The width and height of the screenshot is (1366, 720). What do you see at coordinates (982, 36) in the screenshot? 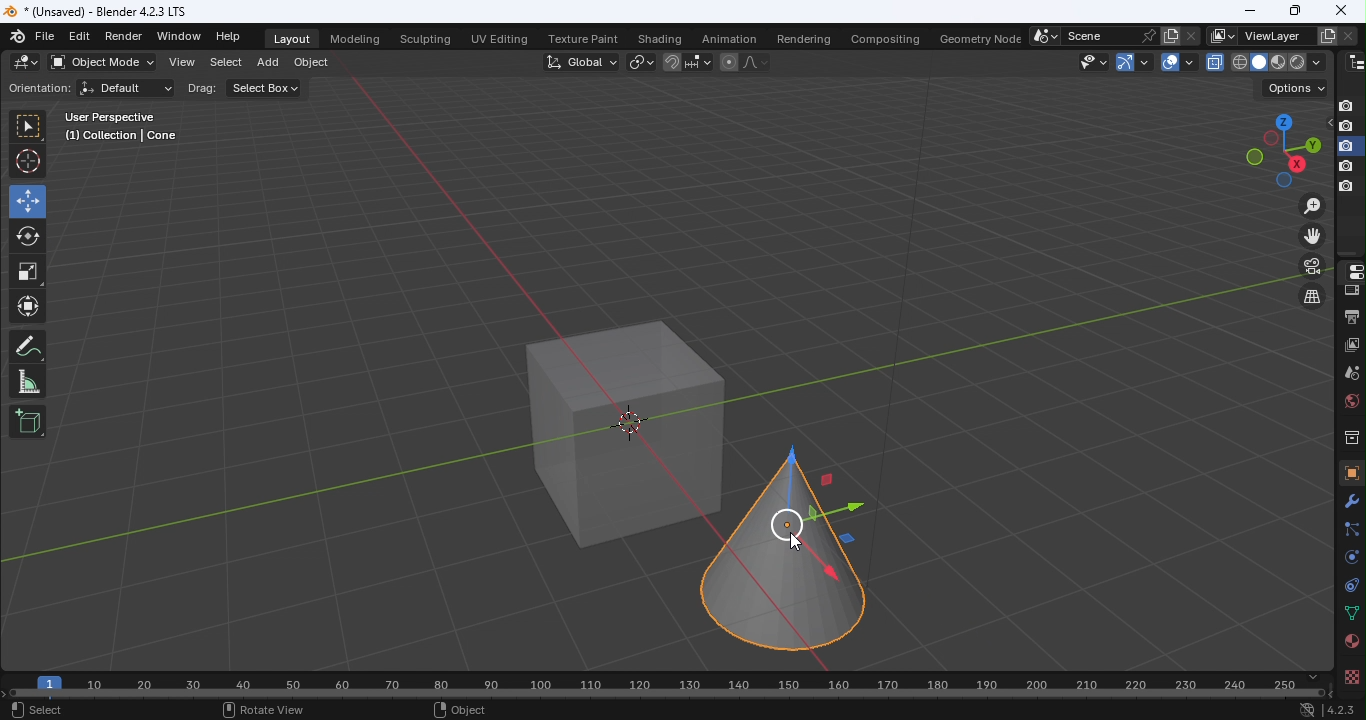
I see `Geometry node` at bounding box center [982, 36].